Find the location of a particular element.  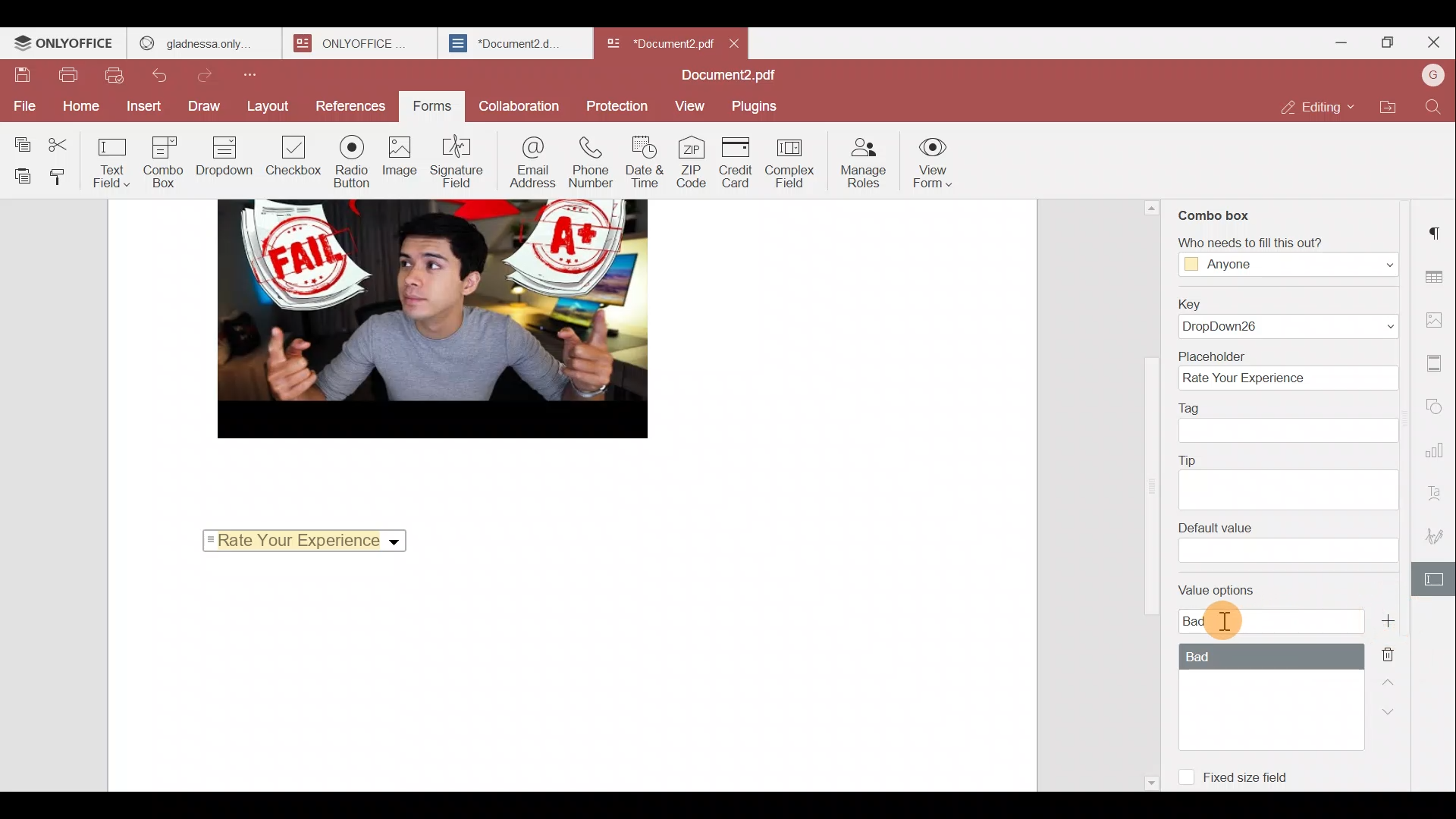

Rate your experience is located at coordinates (301, 539).